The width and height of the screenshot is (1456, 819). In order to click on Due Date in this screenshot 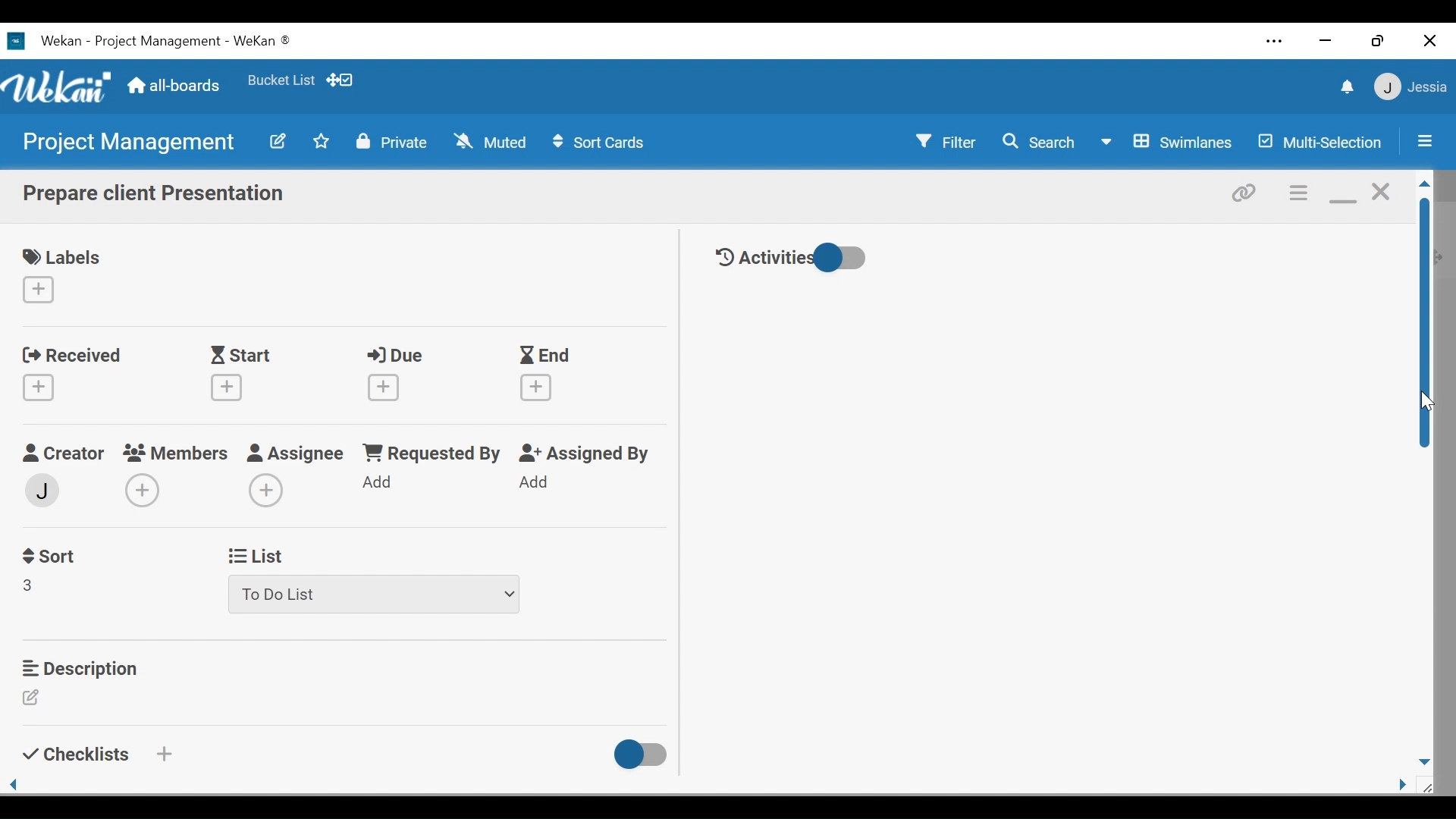, I will do `click(402, 357)`.